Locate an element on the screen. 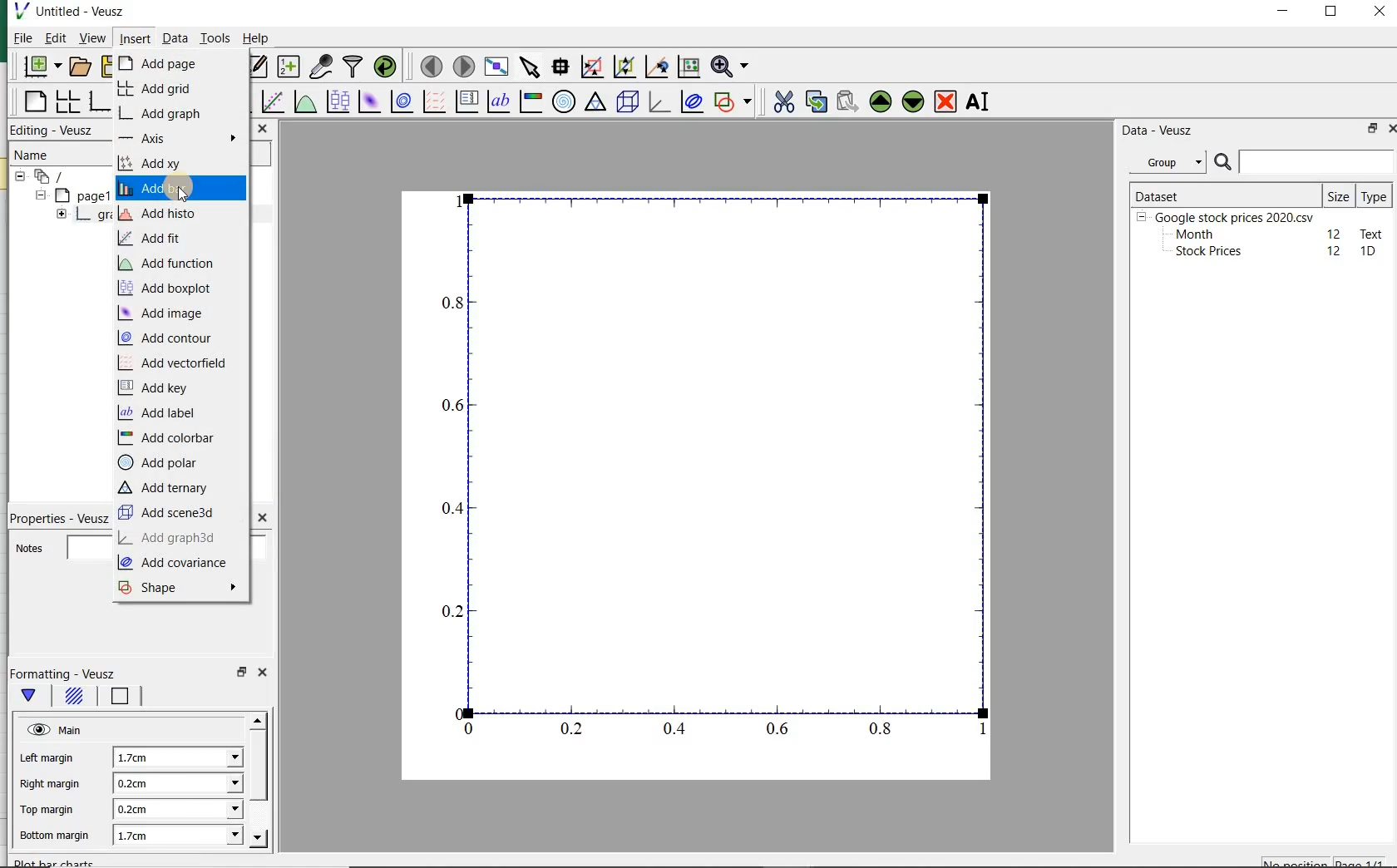  close is located at coordinates (261, 519).